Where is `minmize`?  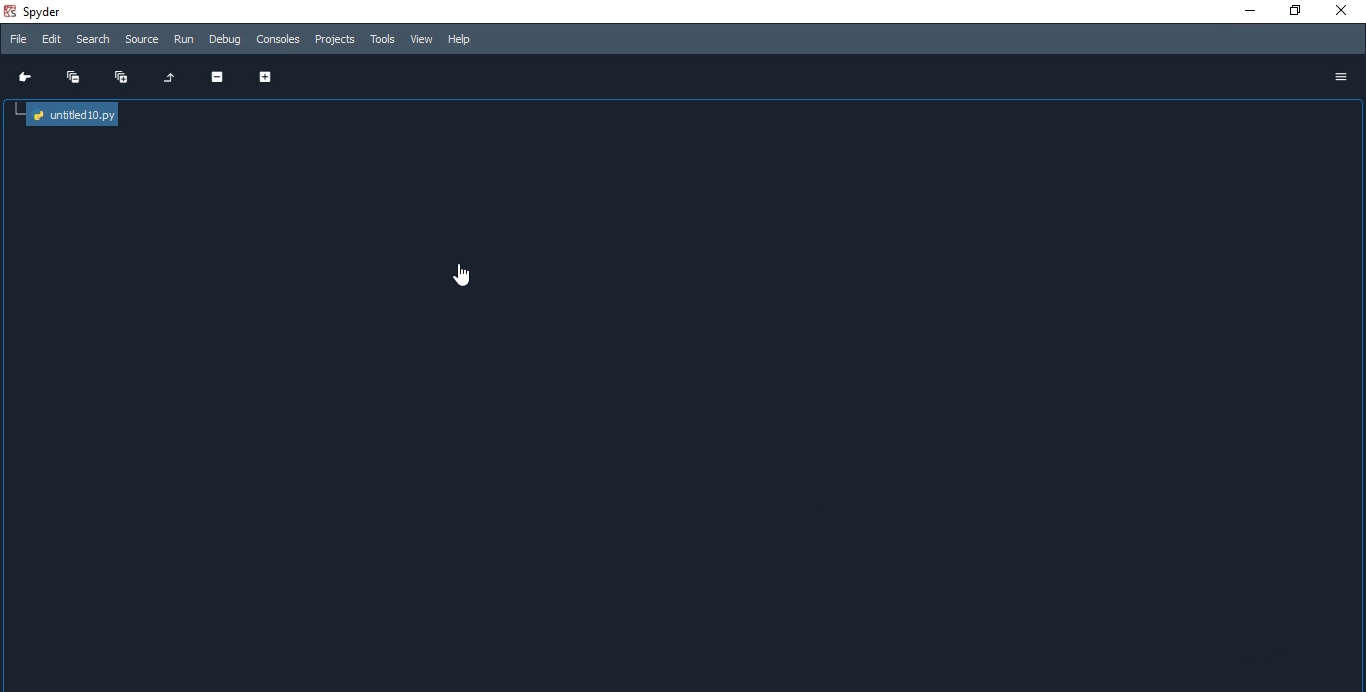
minmize is located at coordinates (1252, 12).